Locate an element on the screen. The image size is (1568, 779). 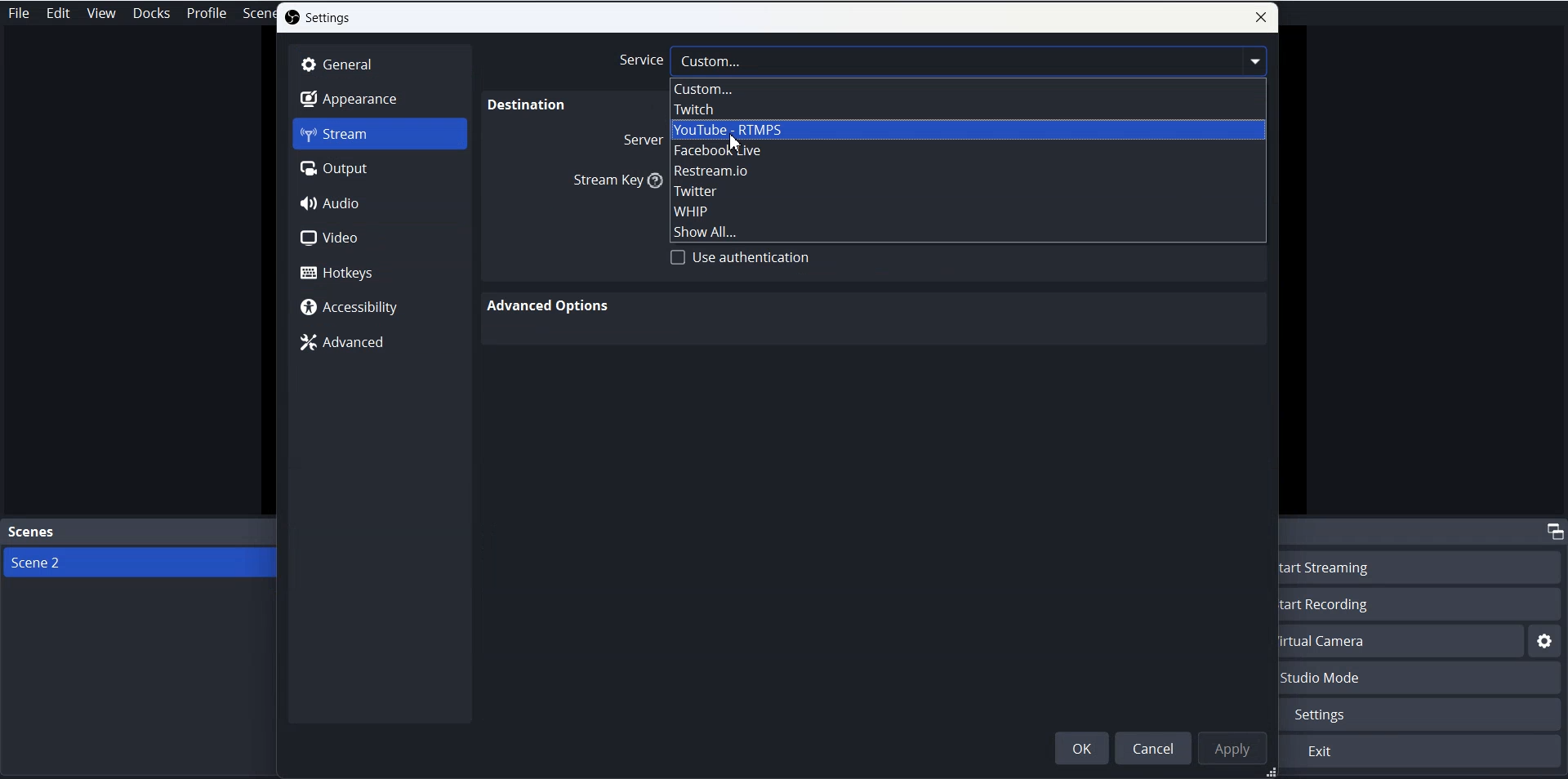
Scenes is located at coordinates (139, 533).